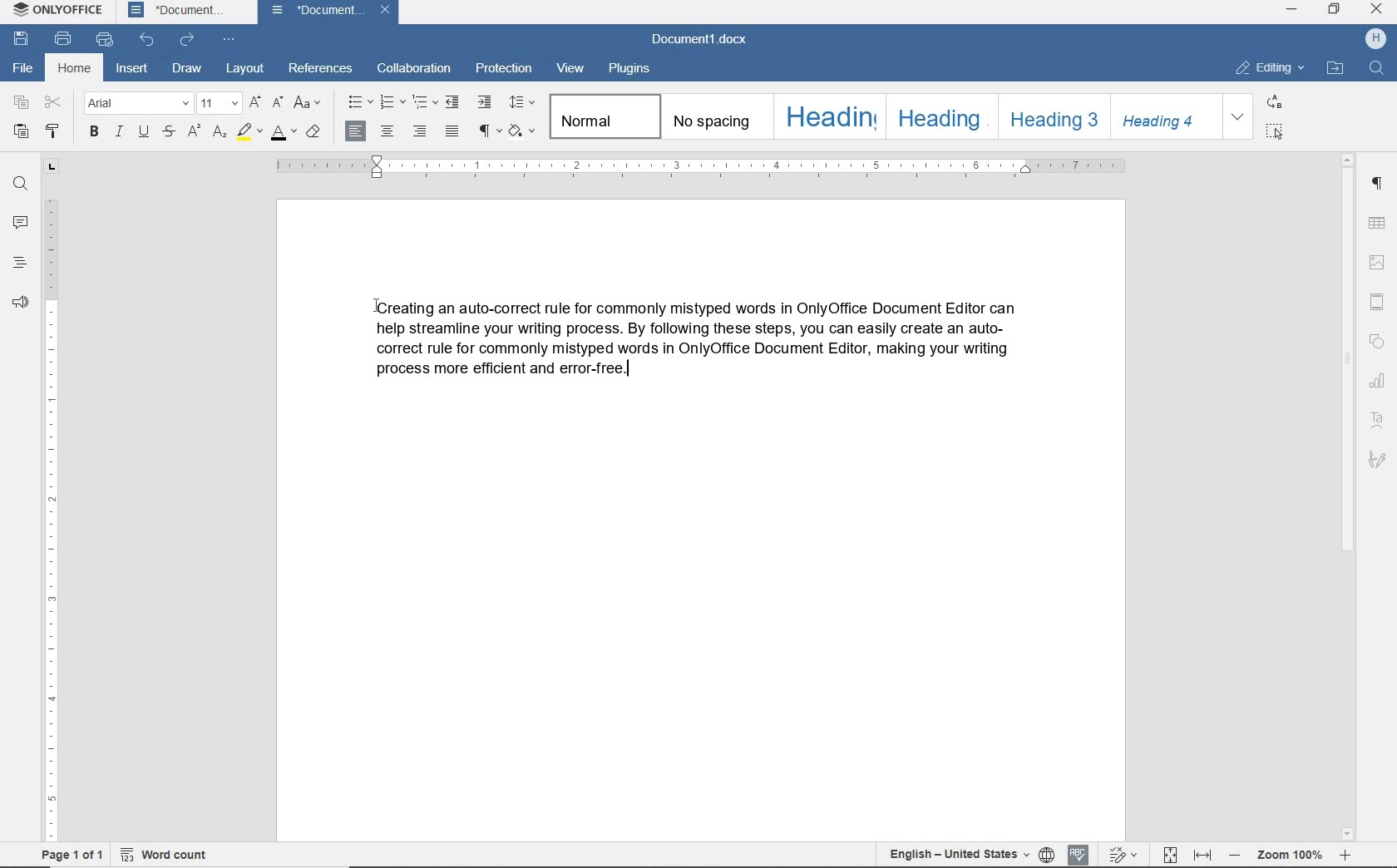  What do you see at coordinates (22, 133) in the screenshot?
I see `paste` at bounding box center [22, 133].